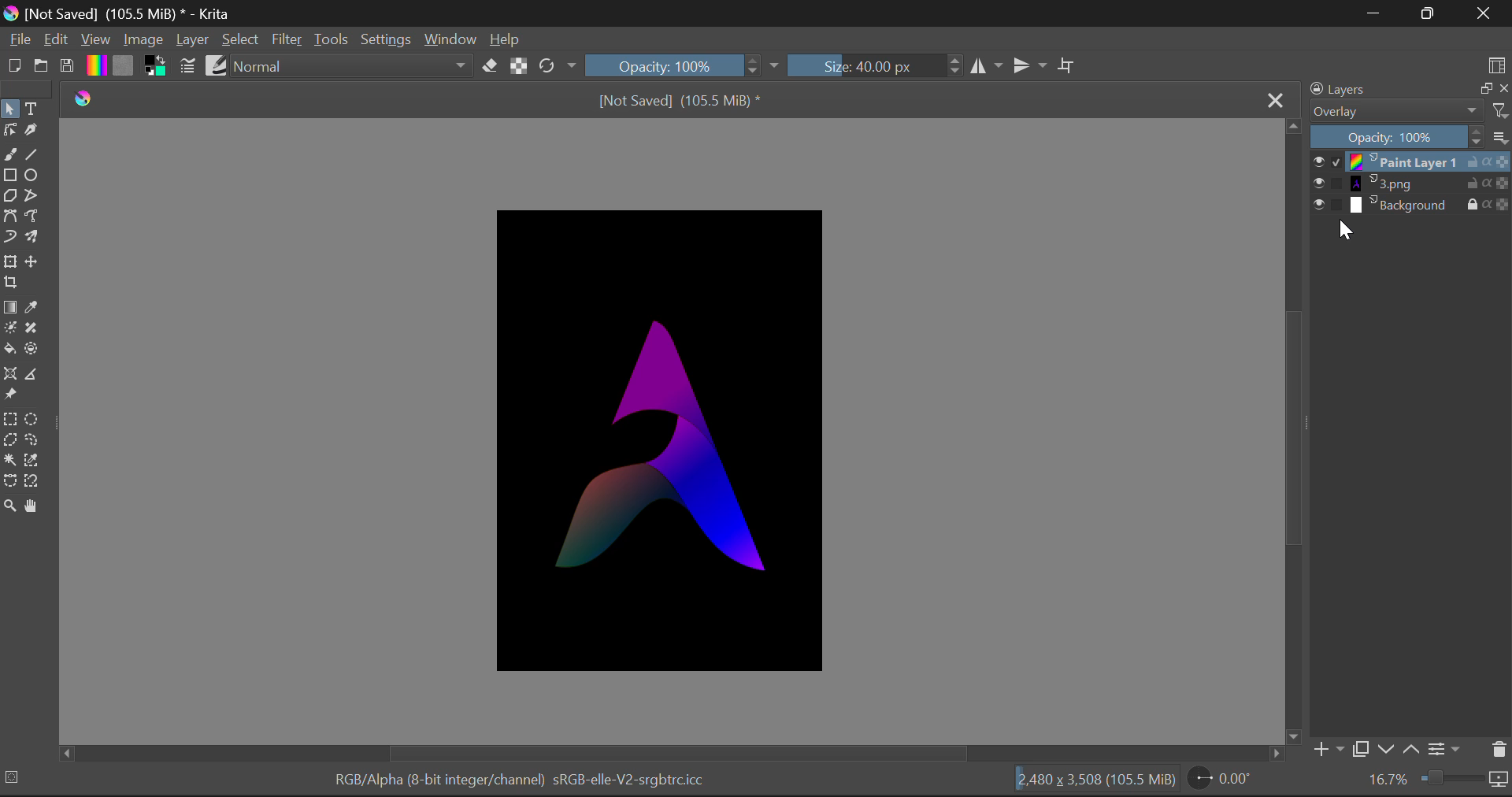  Describe the element at coordinates (10, 350) in the screenshot. I see `Fill` at that location.